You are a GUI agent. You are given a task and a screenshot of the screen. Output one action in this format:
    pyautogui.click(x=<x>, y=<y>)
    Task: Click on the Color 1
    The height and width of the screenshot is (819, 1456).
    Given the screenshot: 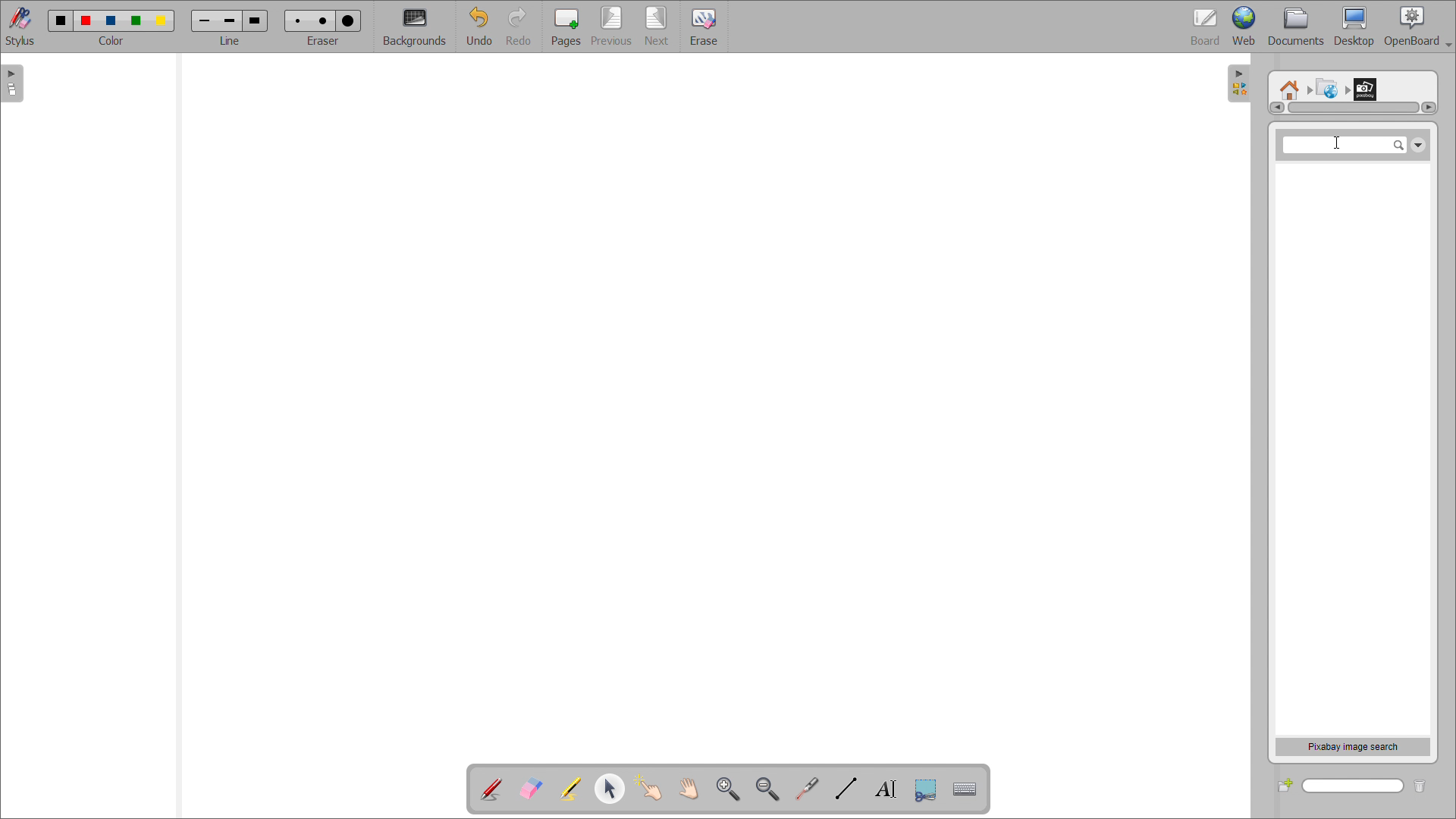 What is the action you would take?
    pyautogui.click(x=59, y=20)
    